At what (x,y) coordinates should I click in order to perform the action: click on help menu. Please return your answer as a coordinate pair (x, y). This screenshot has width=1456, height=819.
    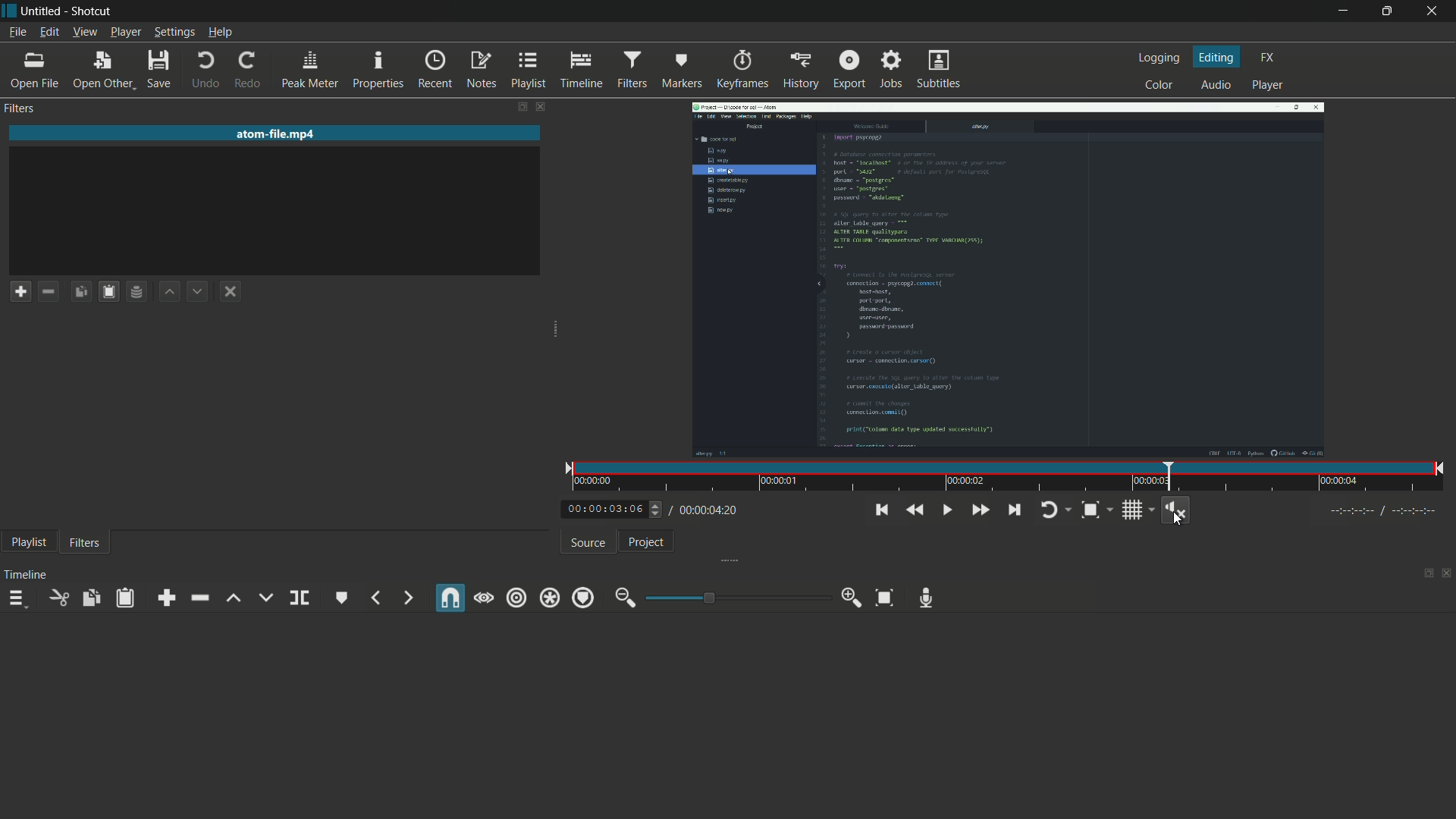
    Looking at the image, I should click on (221, 32).